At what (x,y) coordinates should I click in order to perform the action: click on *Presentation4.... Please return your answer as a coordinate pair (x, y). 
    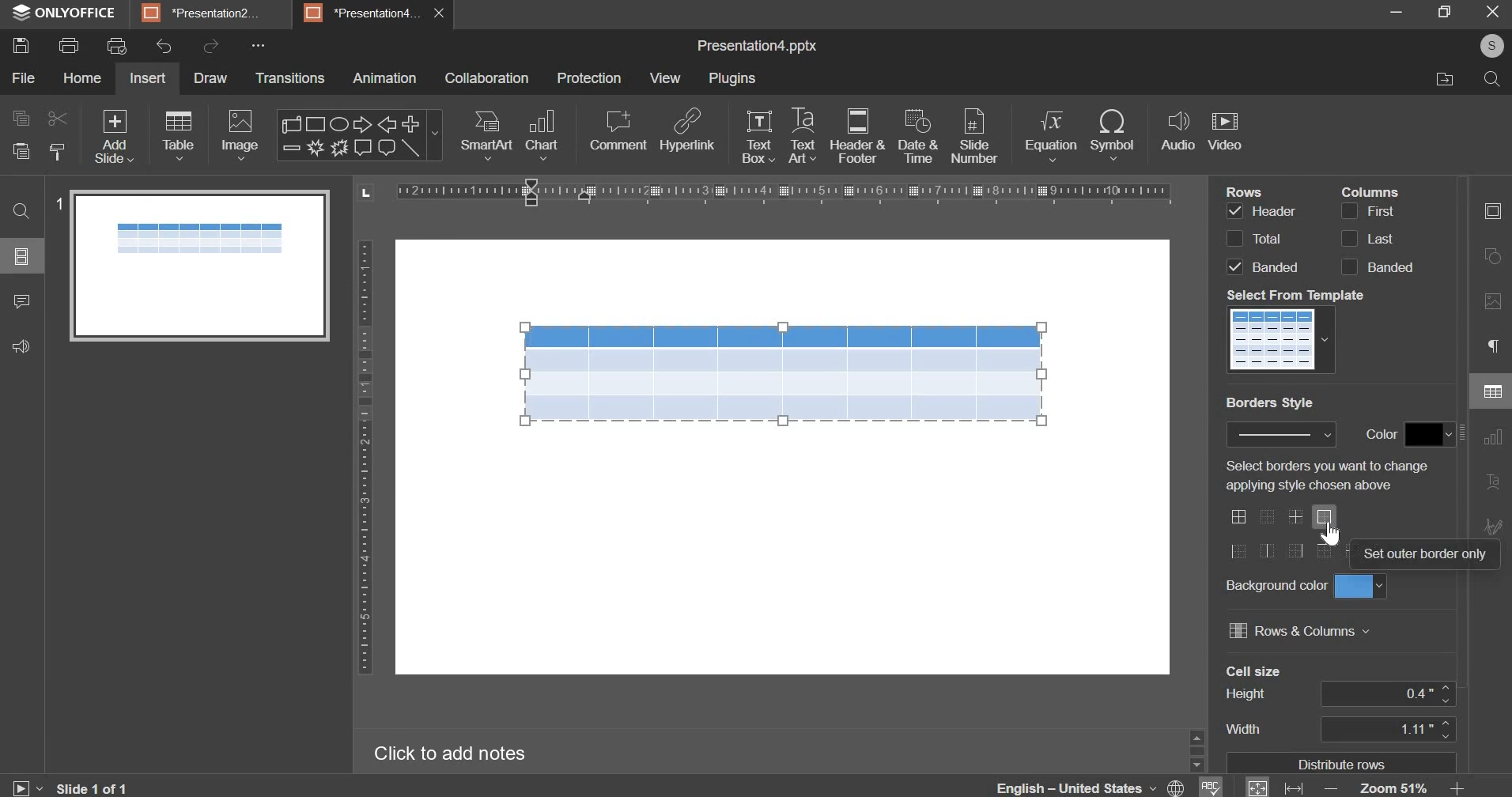
    Looking at the image, I should click on (365, 12).